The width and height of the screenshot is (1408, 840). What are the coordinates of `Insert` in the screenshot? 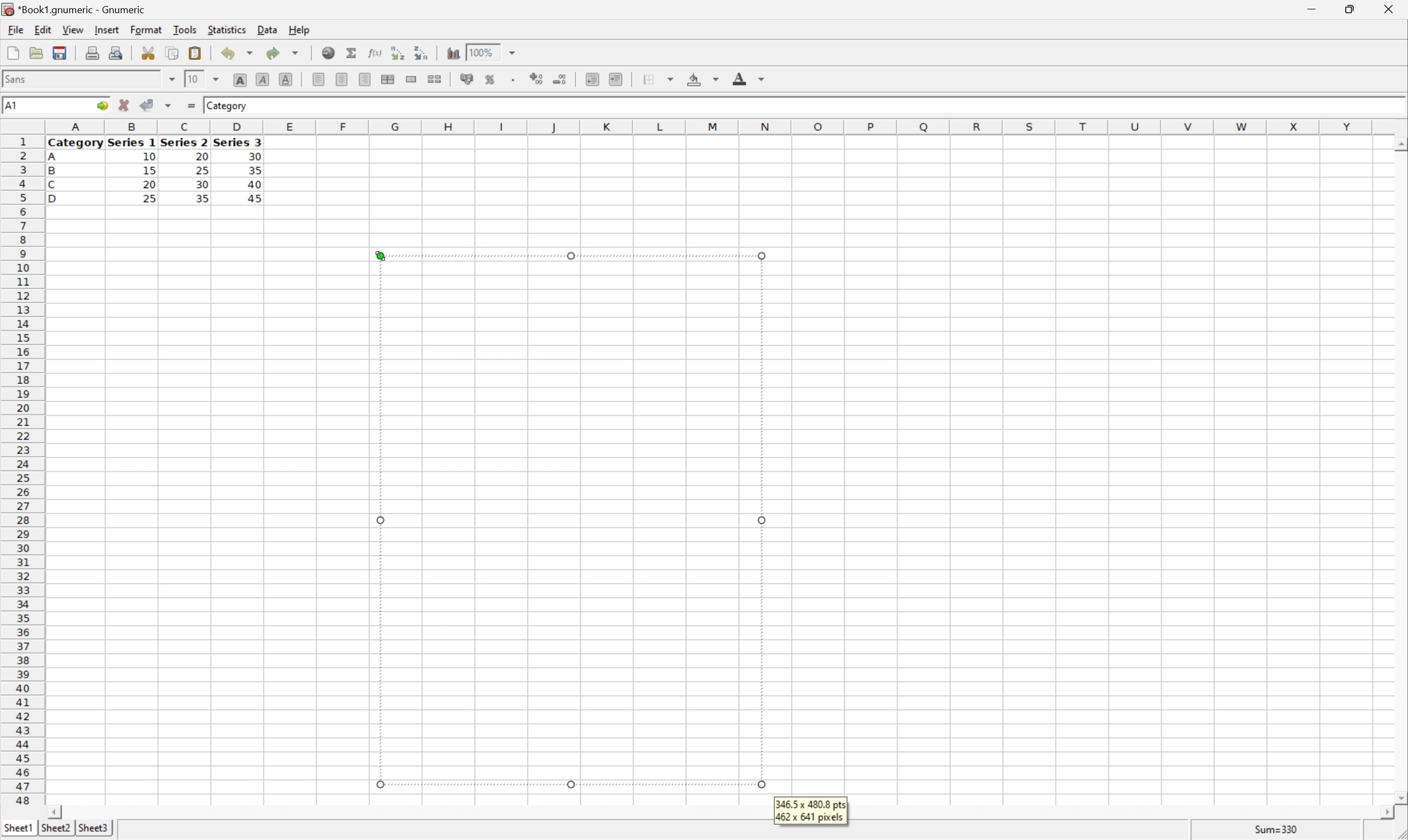 It's located at (108, 30).